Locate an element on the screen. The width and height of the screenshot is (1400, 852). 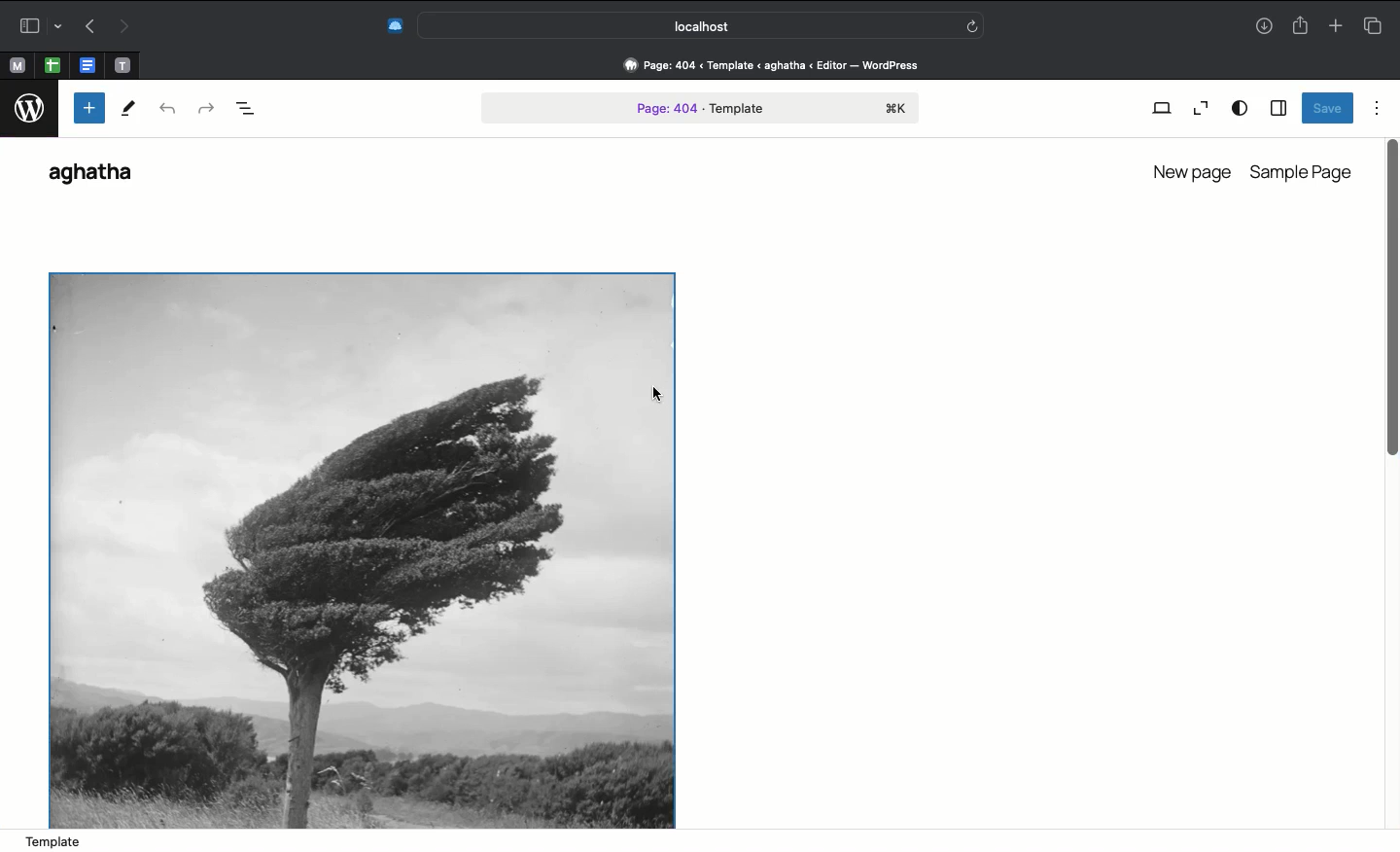
Save is located at coordinates (1328, 108).